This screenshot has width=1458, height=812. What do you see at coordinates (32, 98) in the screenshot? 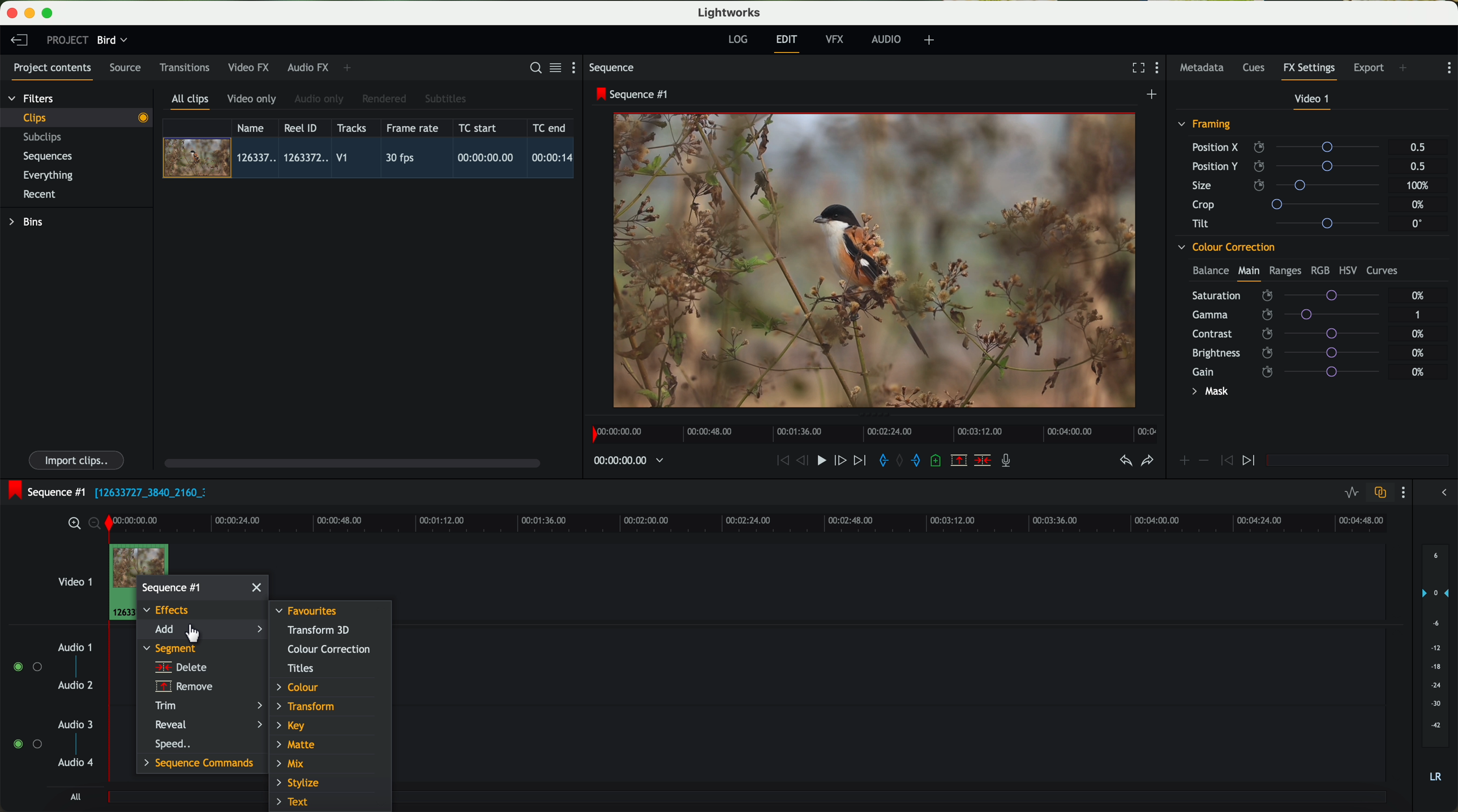
I see `filters` at bounding box center [32, 98].